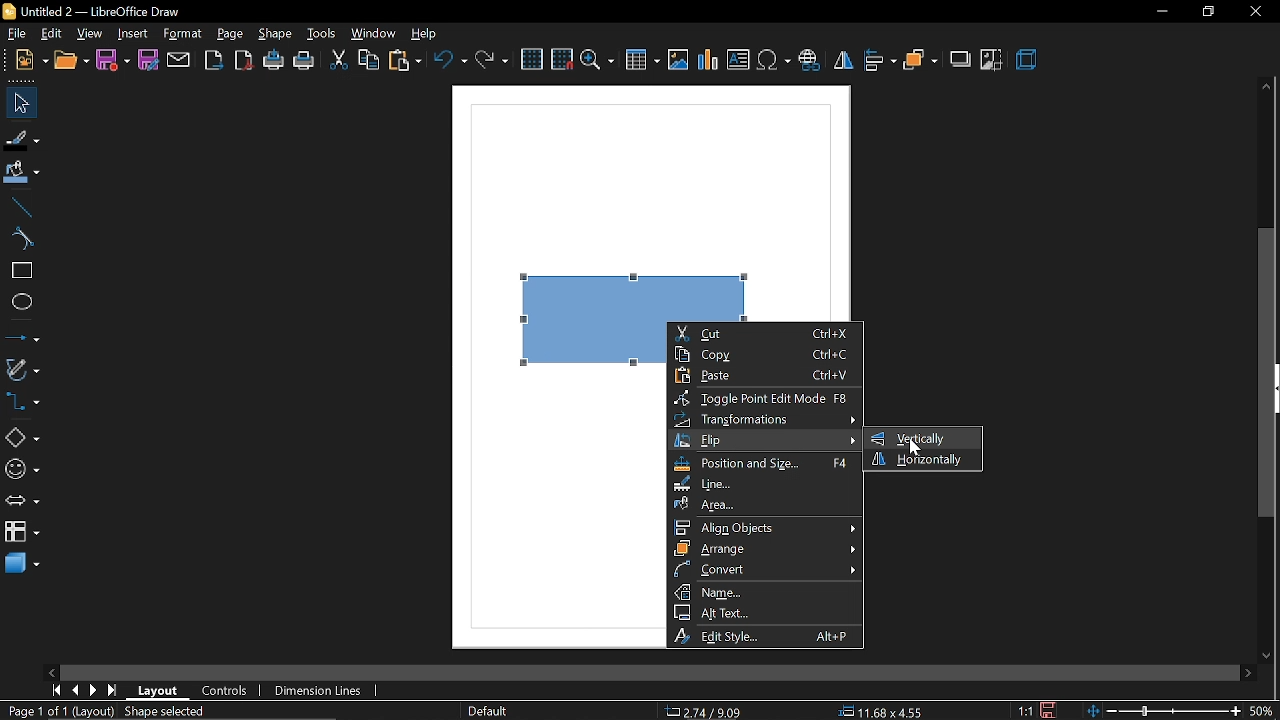 This screenshot has width=1280, height=720. Describe the element at coordinates (92, 34) in the screenshot. I see `view` at that location.